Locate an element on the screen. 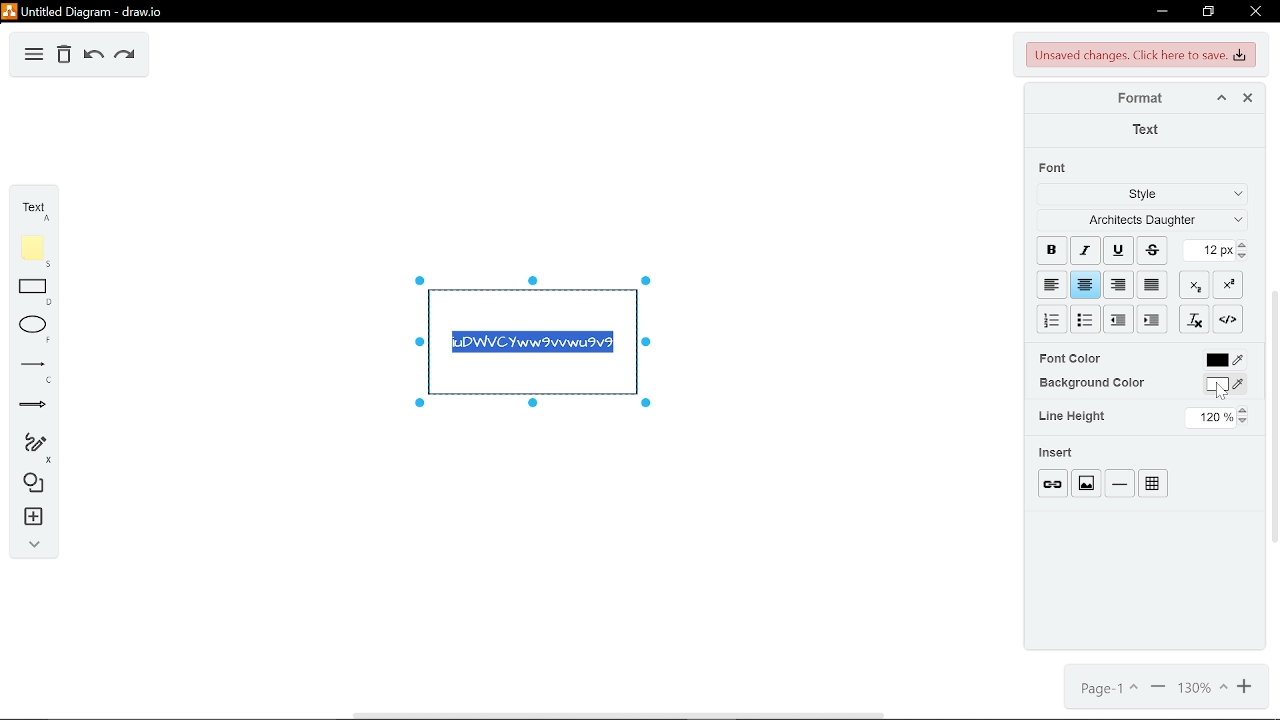 The image size is (1280, 720). redo is located at coordinates (124, 56).